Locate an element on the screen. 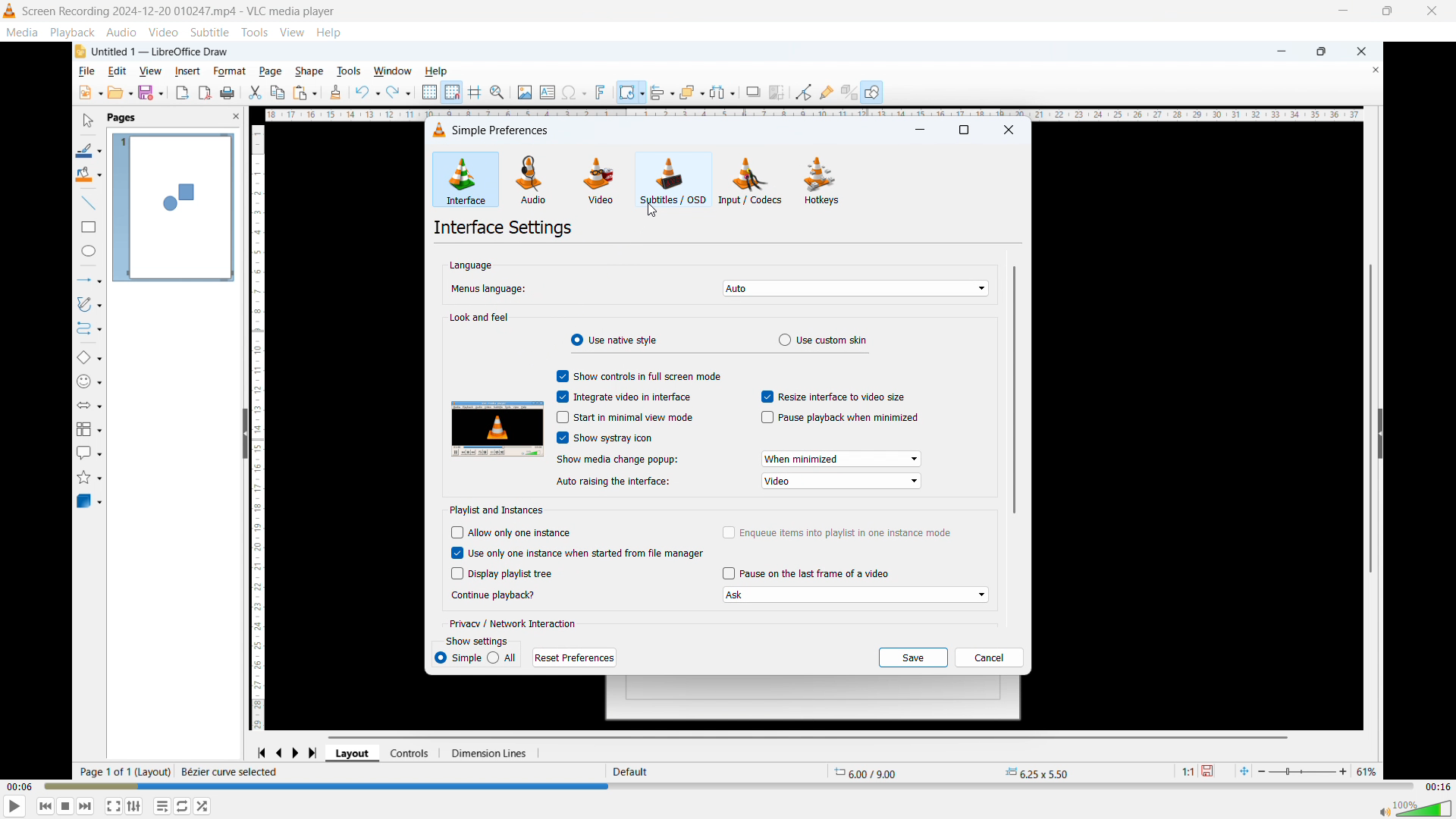 This screenshot has width=1456, height=819. save is located at coordinates (914, 658).